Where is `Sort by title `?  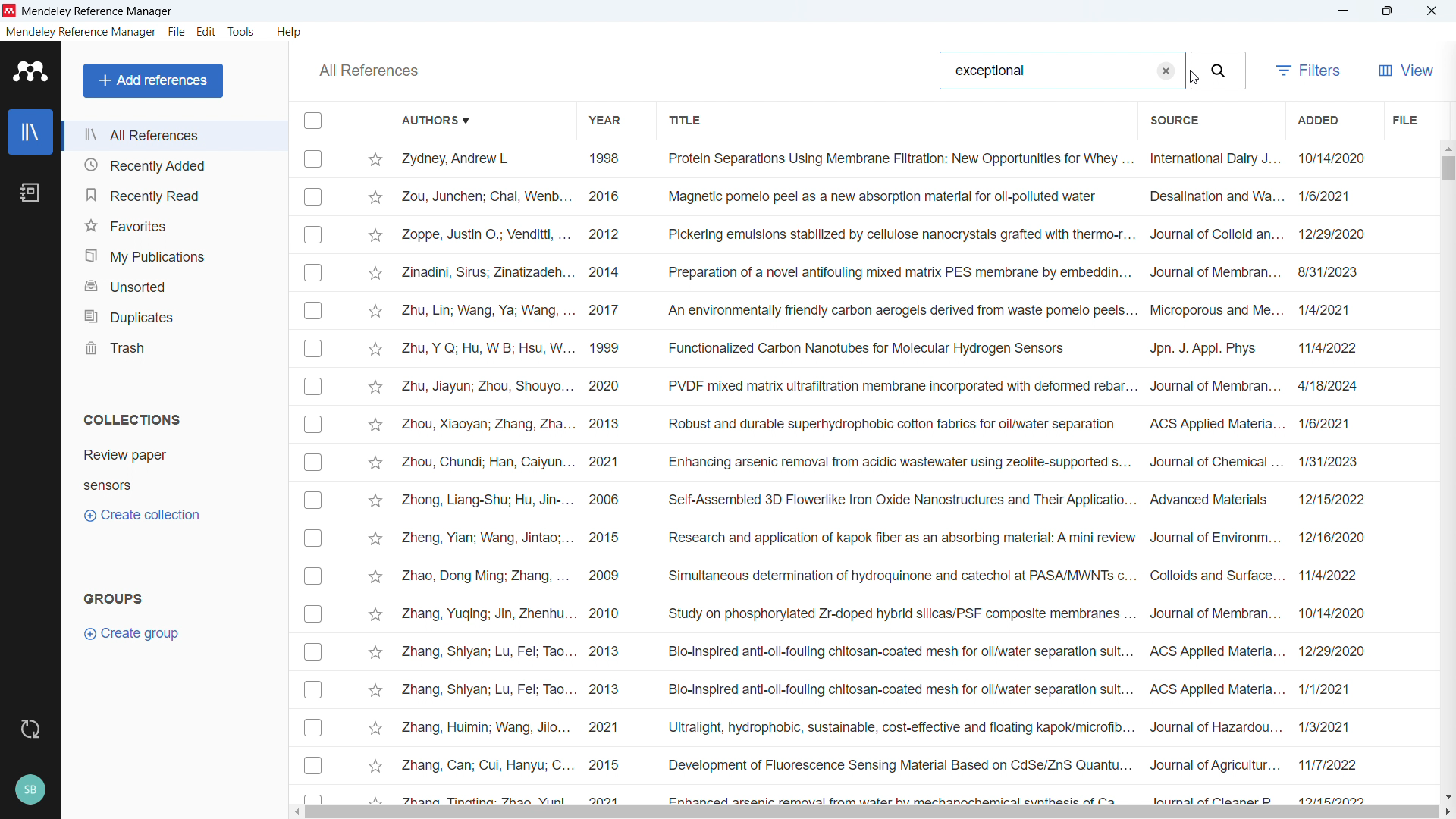
Sort by title  is located at coordinates (689, 121).